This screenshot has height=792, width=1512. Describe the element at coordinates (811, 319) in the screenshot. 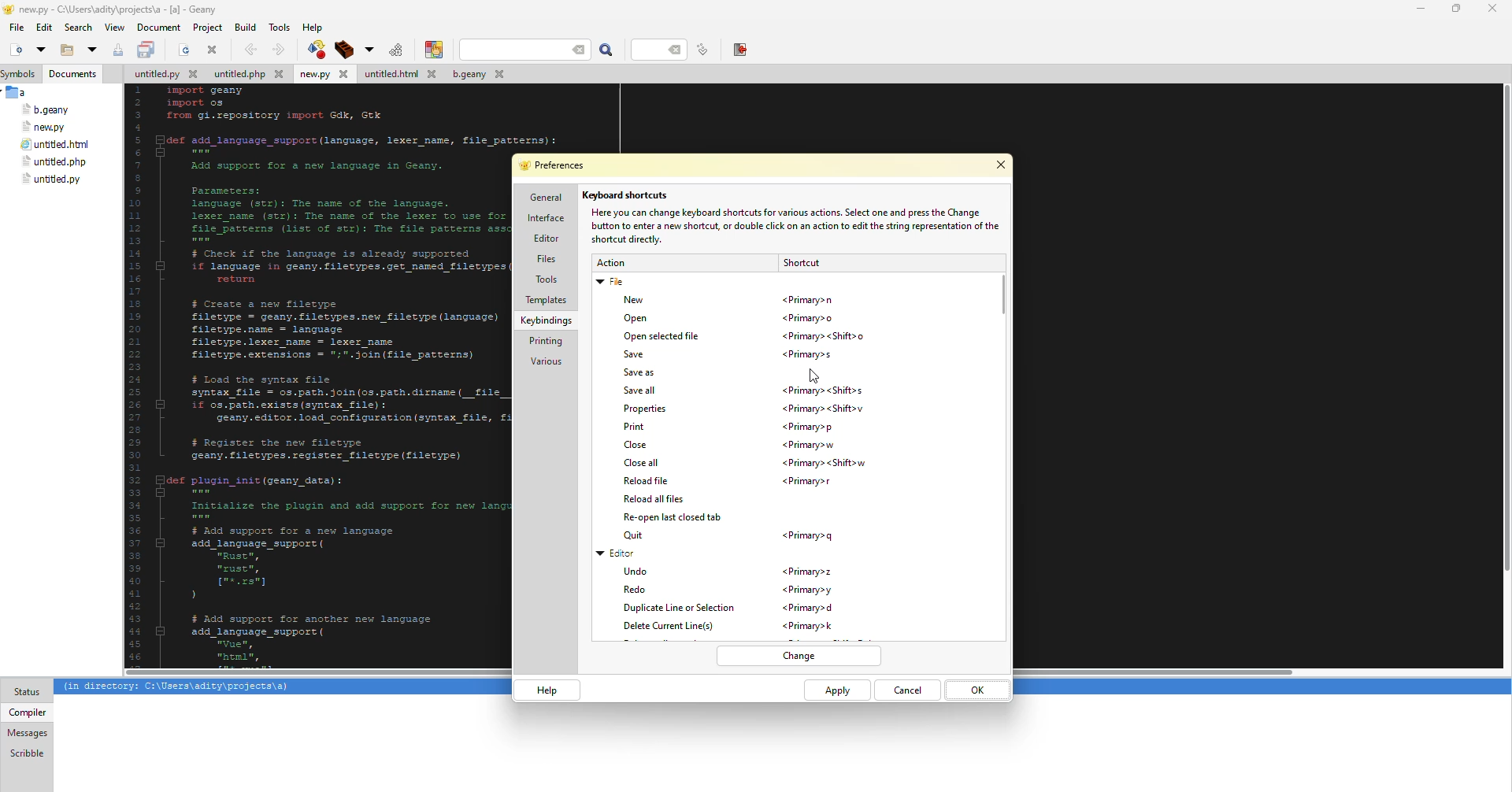

I see `shortcut` at that location.